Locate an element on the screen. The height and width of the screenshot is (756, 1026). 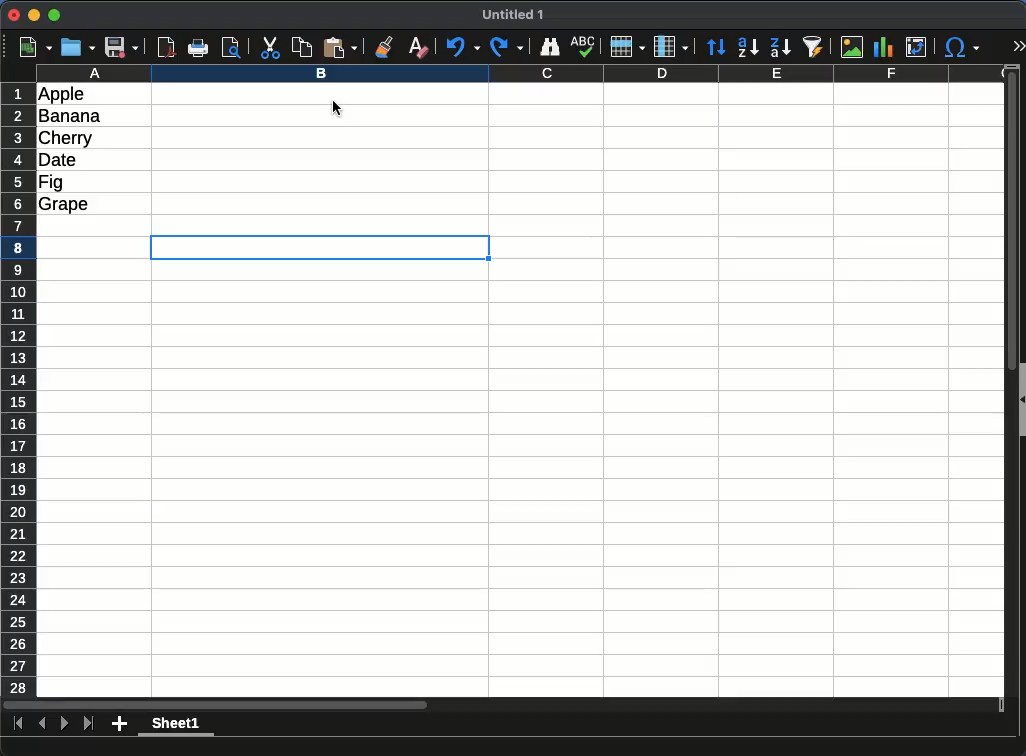
paste is located at coordinates (340, 48).